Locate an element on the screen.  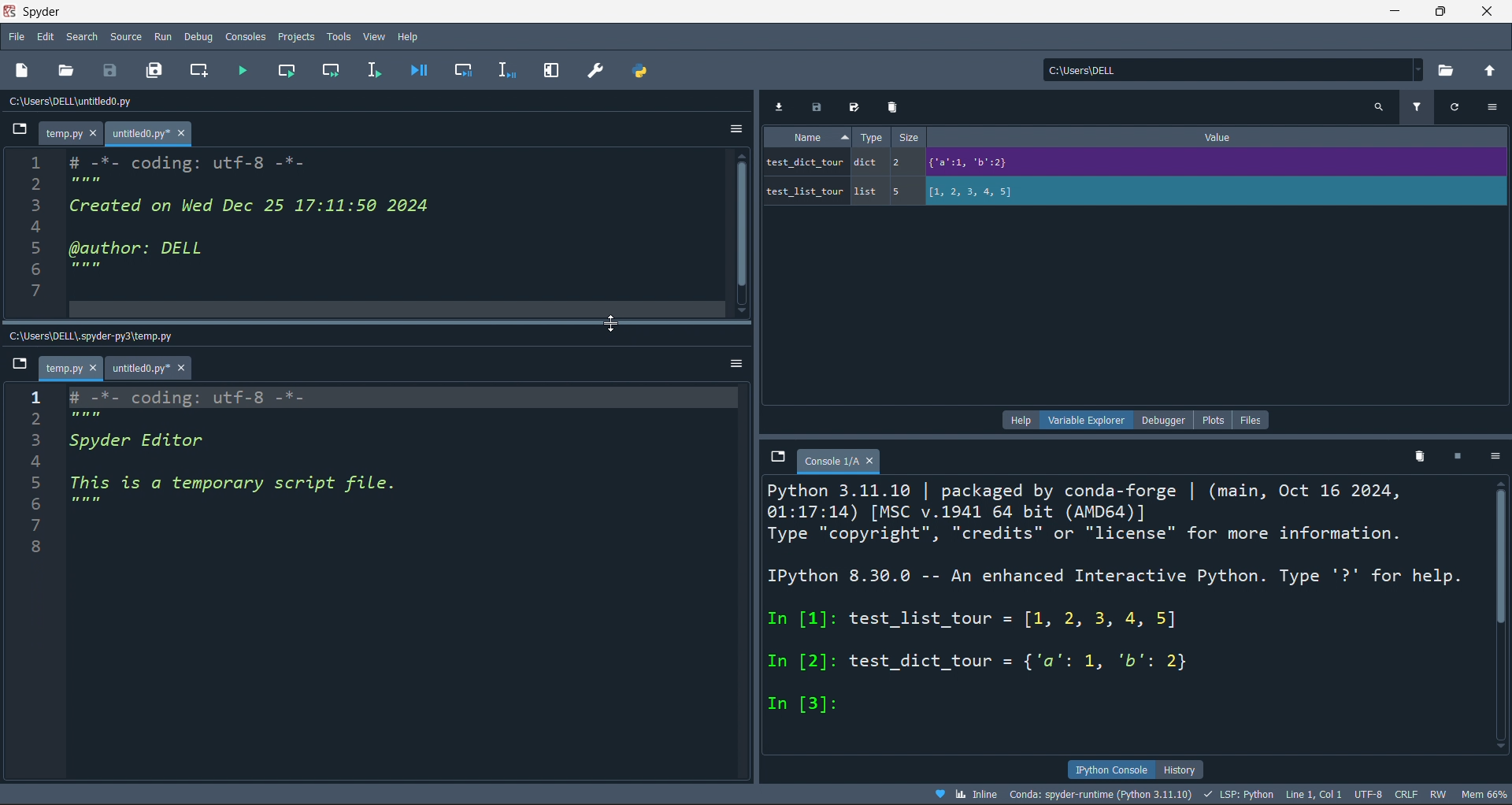
Inline is located at coordinates (965, 794).